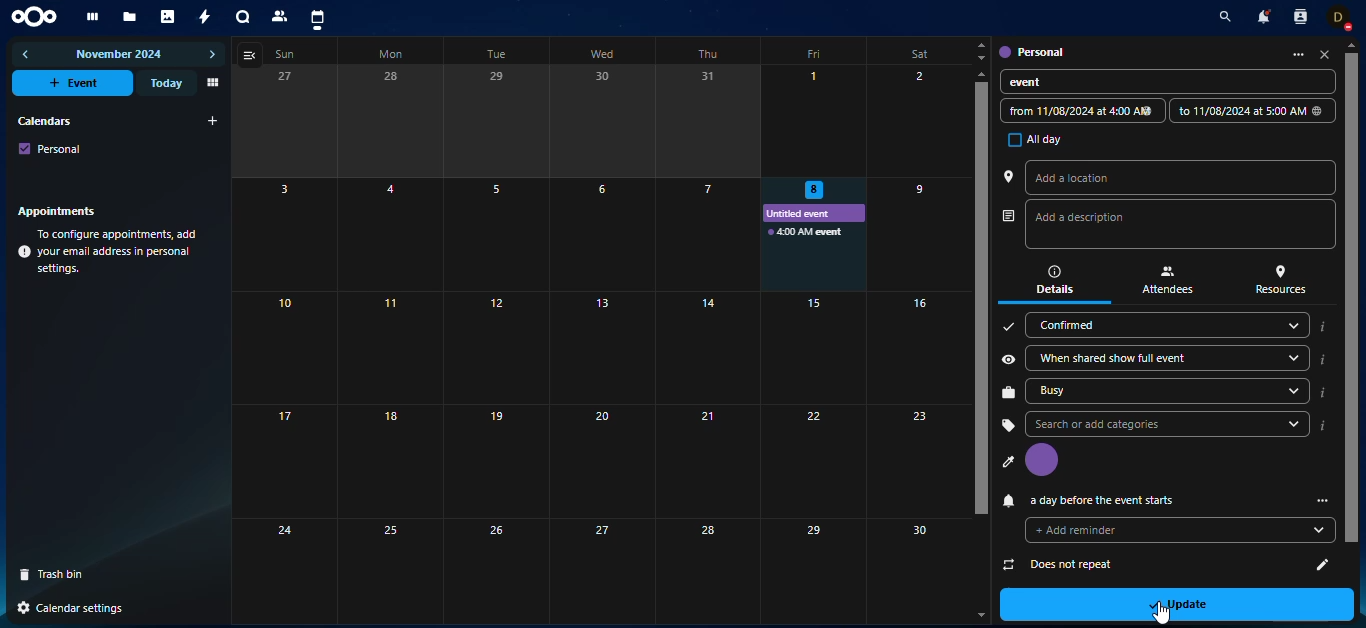 This screenshot has height=628, width=1366. Describe the element at coordinates (1107, 392) in the screenshot. I see `busy` at that location.